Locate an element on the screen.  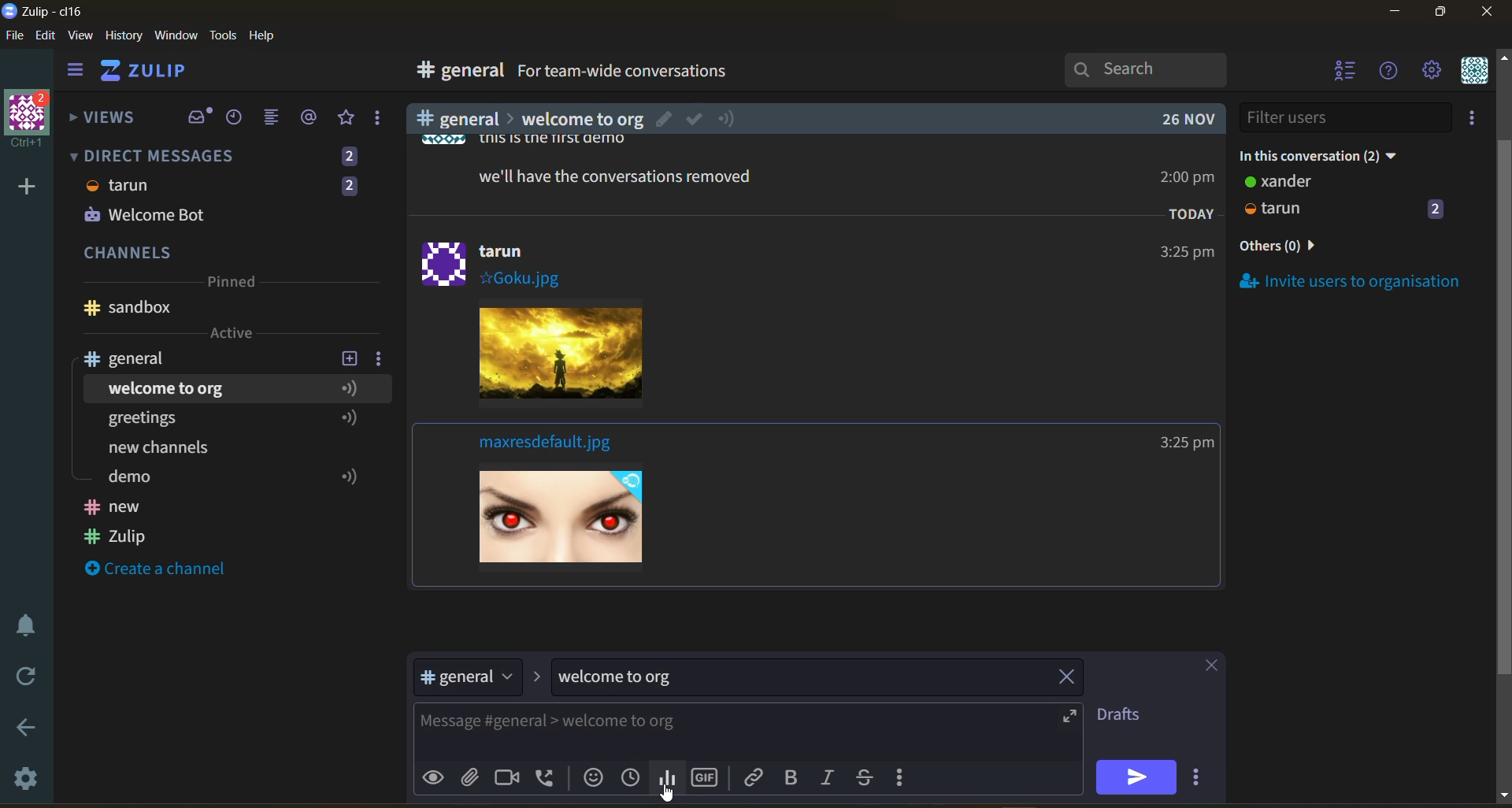
 is located at coordinates (587, 524).